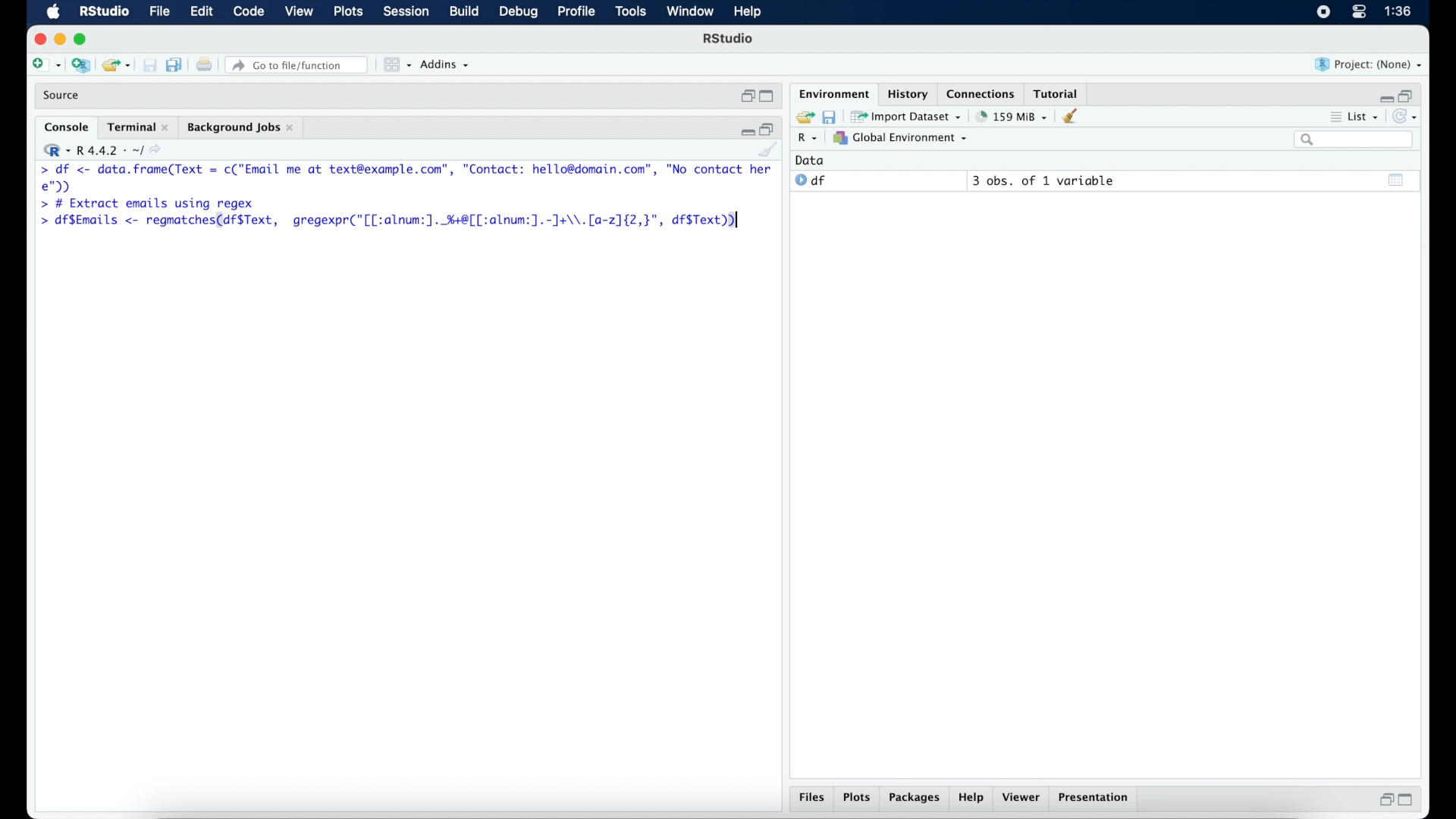  What do you see at coordinates (745, 96) in the screenshot?
I see `restore down` at bounding box center [745, 96].